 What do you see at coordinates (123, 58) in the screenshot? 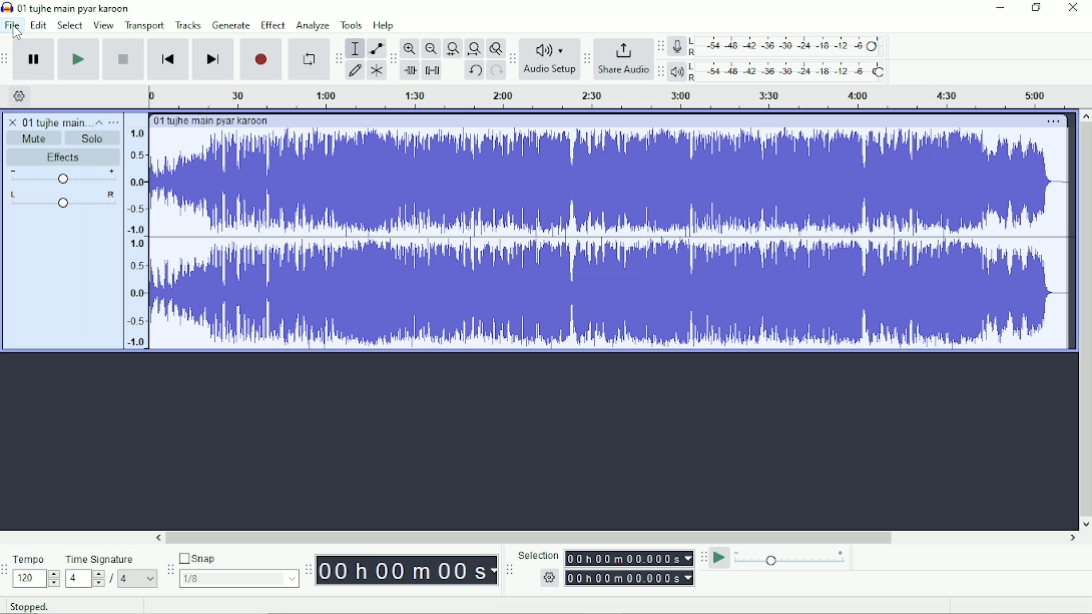
I see `Stop` at bounding box center [123, 58].